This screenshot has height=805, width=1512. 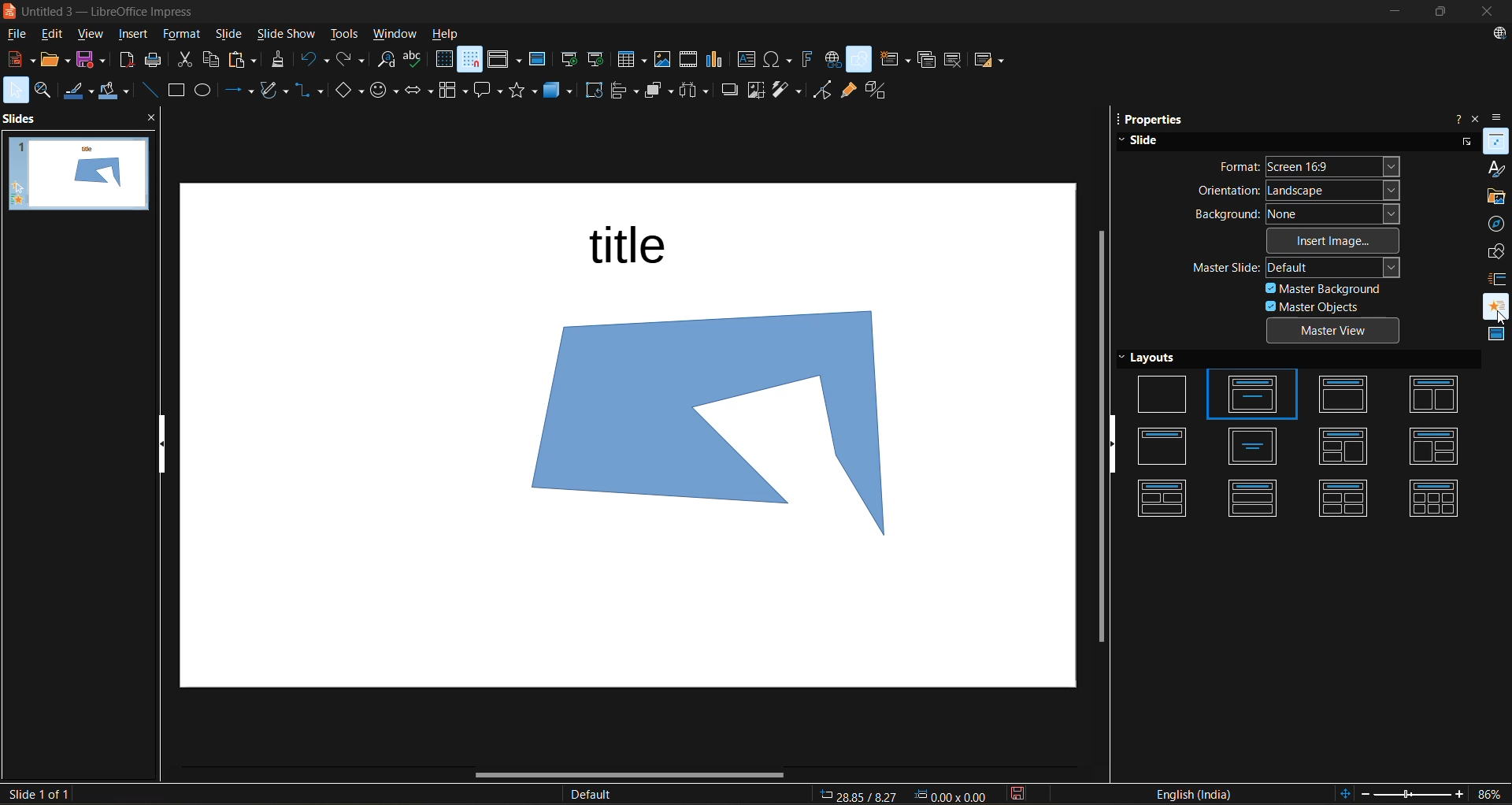 I want to click on rotate, so click(x=595, y=92).